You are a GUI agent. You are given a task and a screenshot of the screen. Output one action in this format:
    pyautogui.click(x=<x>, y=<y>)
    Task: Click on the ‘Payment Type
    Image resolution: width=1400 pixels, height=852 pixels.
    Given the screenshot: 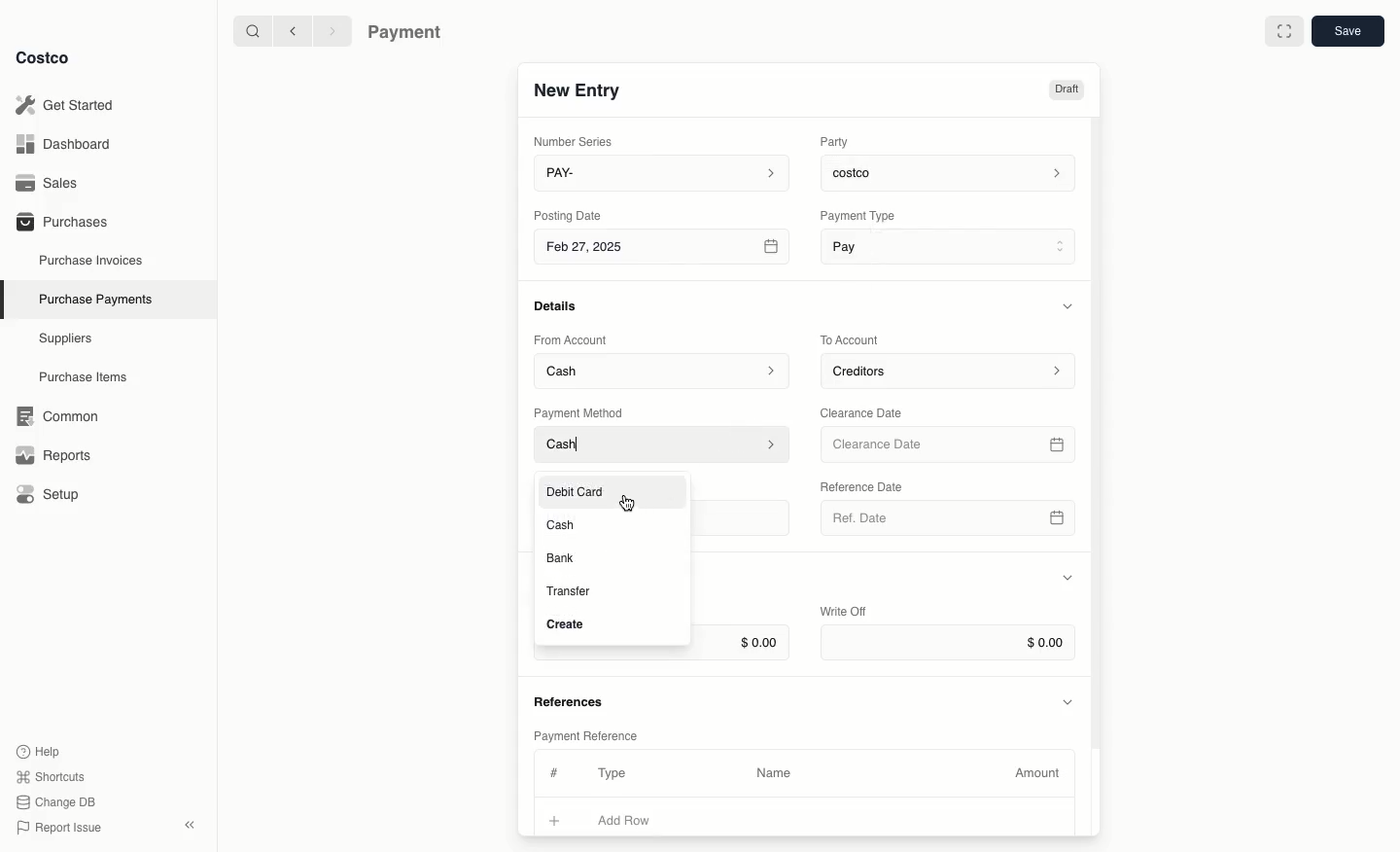 What is the action you would take?
    pyautogui.click(x=857, y=215)
    